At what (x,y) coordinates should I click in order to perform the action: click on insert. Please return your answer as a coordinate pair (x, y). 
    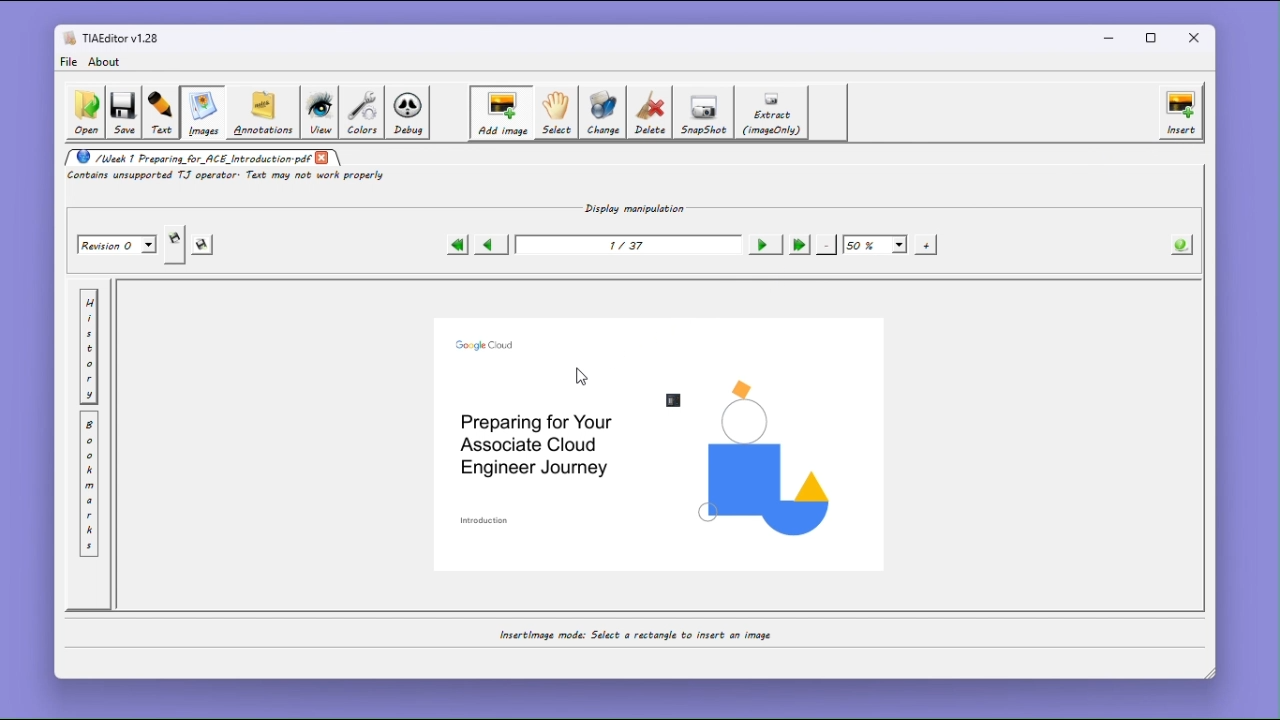
    Looking at the image, I should click on (1181, 112).